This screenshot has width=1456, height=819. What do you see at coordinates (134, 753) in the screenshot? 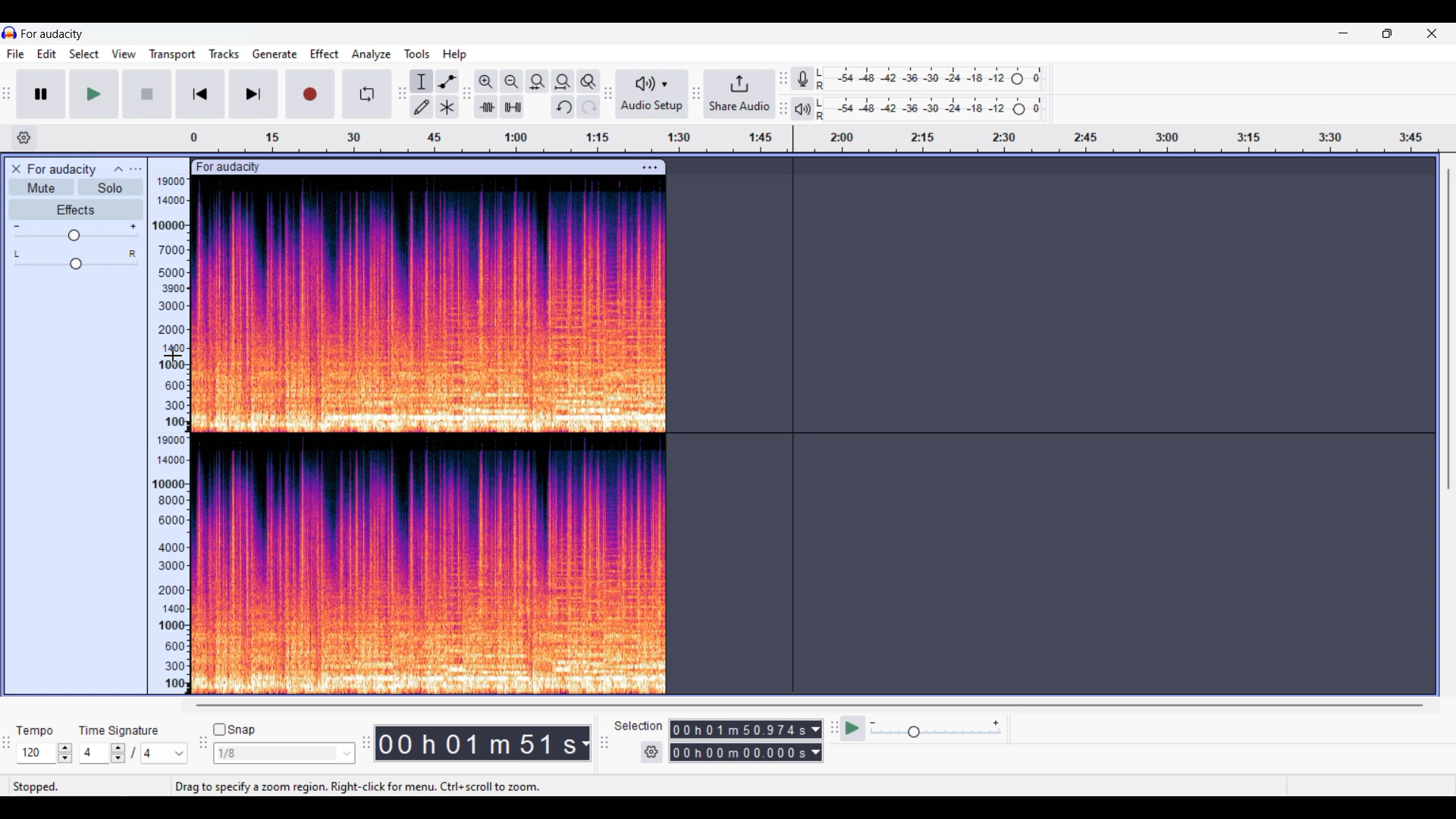
I see `Time signature settings` at bounding box center [134, 753].